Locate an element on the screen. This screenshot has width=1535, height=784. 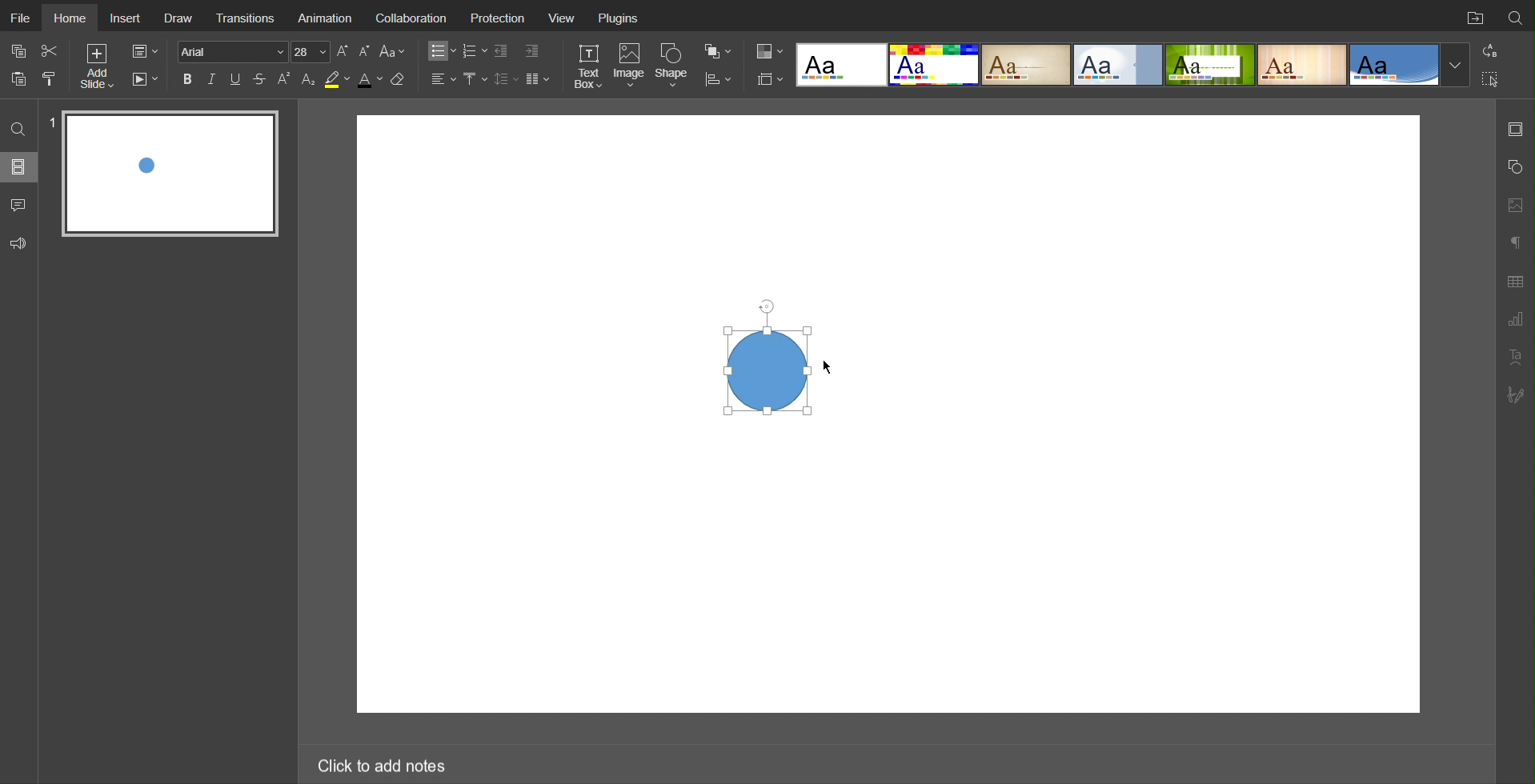
Image is located at coordinates (631, 66).